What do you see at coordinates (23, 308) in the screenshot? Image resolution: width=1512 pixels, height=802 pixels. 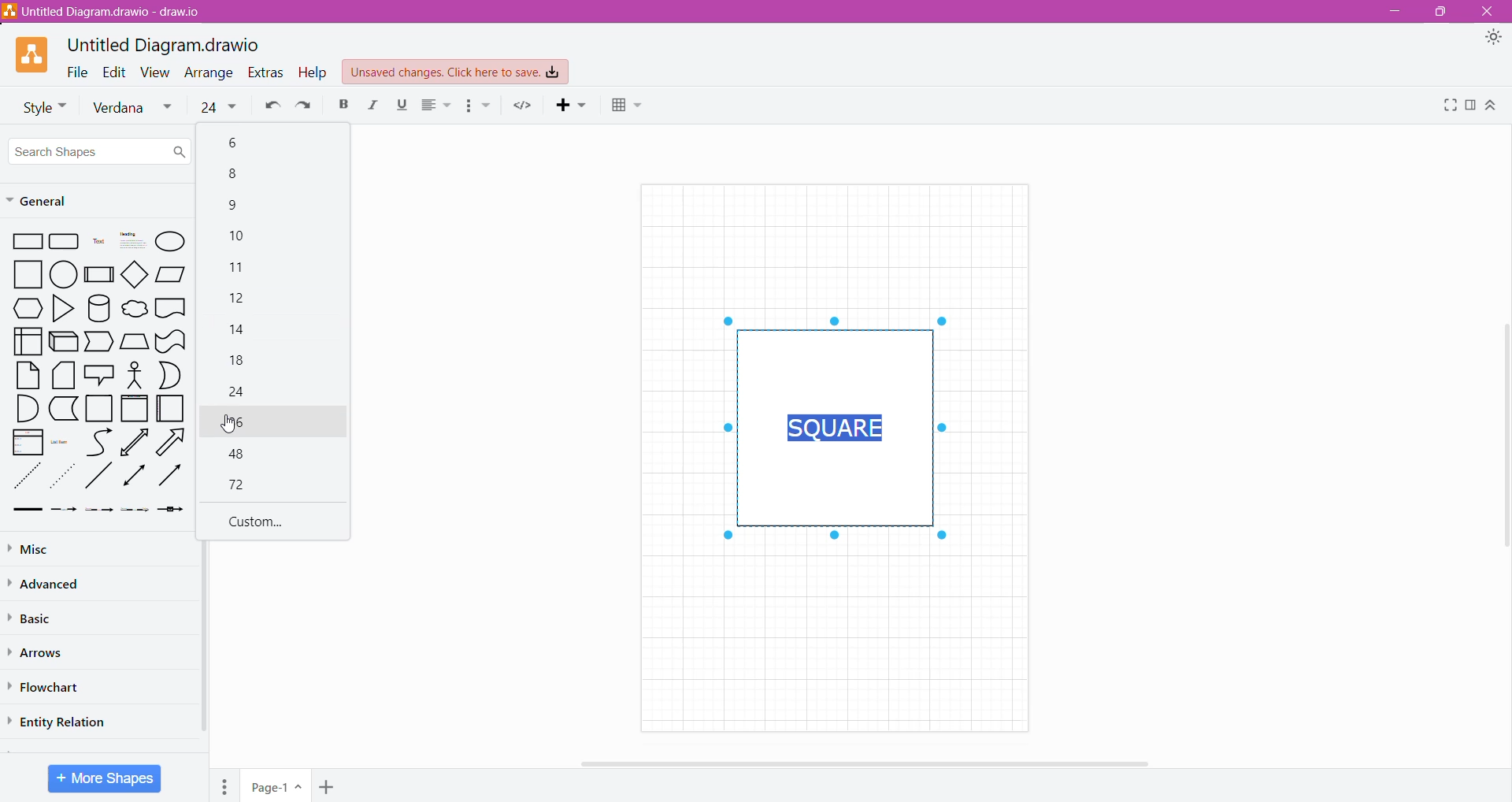 I see `Preparation` at bounding box center [23, 308].